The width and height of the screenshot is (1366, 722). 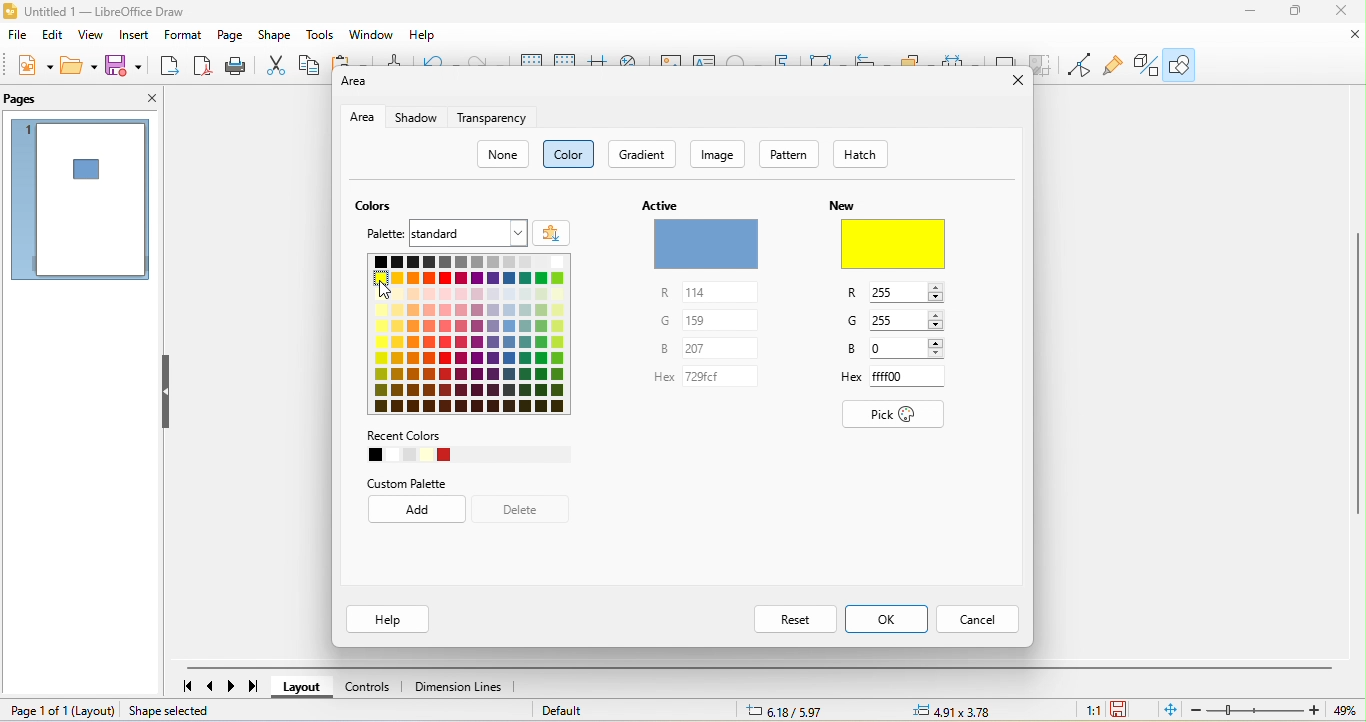 What do you see at coordinates (127, 65) in the screenshot?
I see `save` at bounding box center [127, 65].